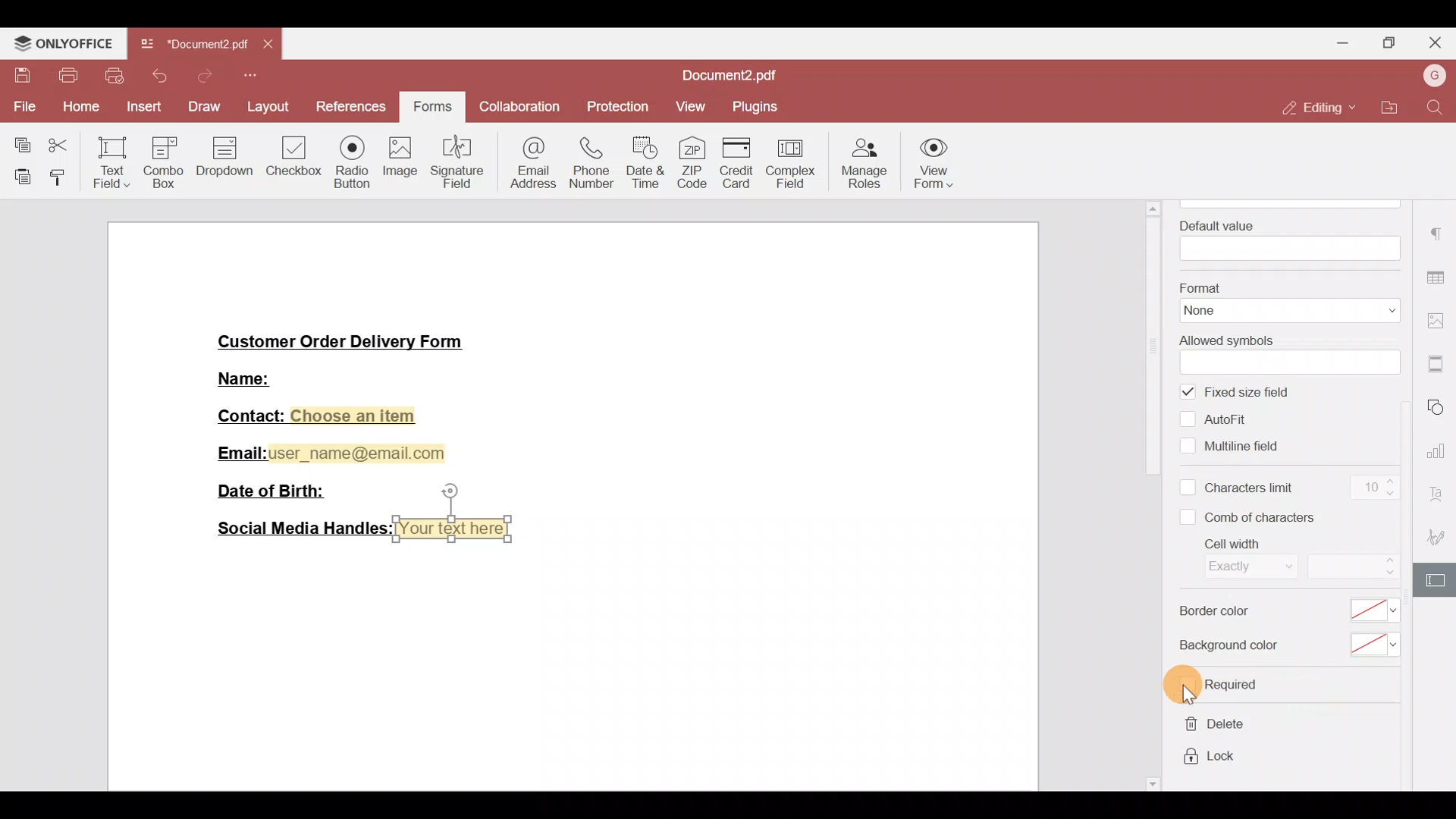 The height and width of the screenshot is (819, 1456). I want to click on Multiline field, so click(1235, 444).